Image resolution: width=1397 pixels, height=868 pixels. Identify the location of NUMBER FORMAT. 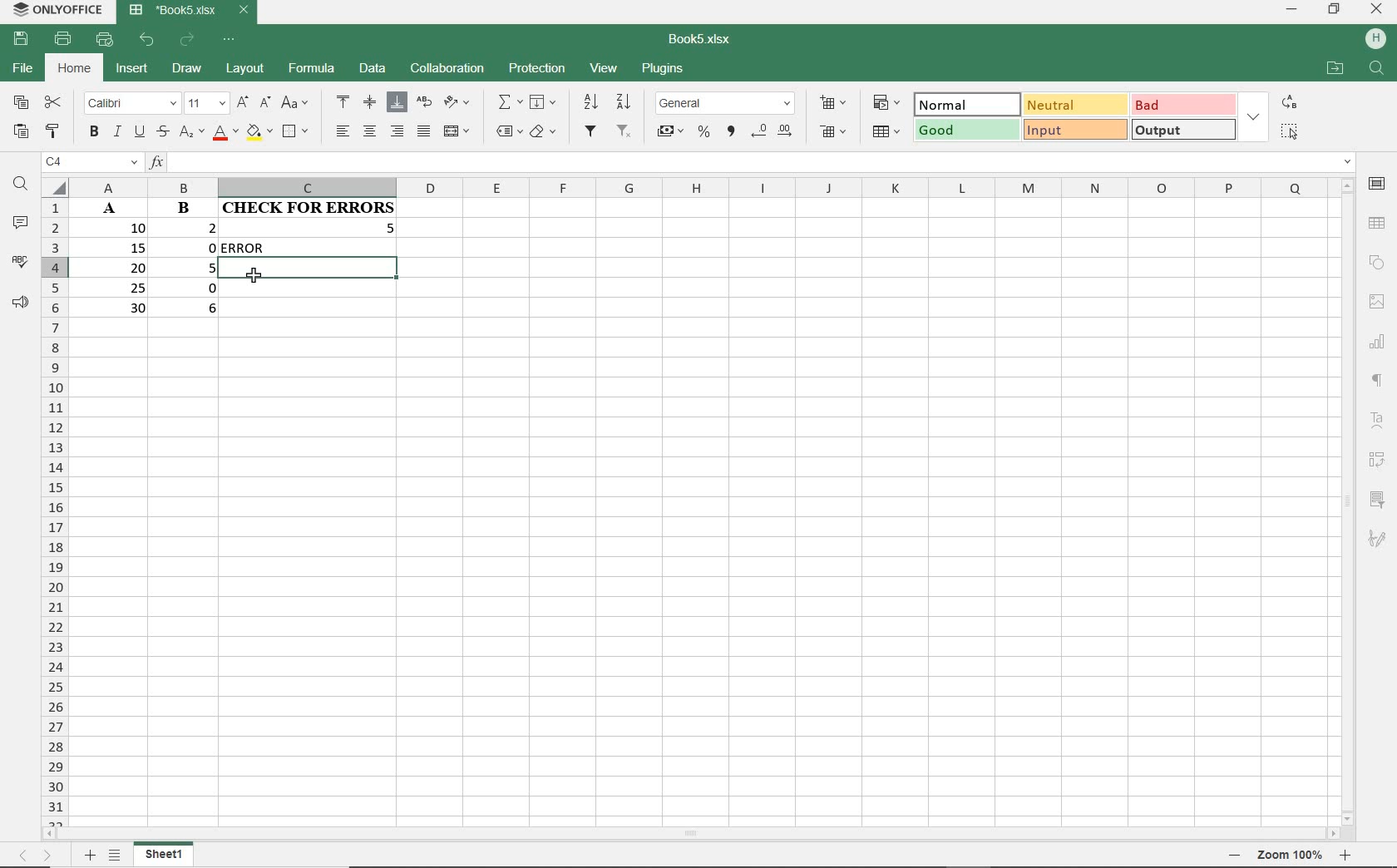
(725, 104).